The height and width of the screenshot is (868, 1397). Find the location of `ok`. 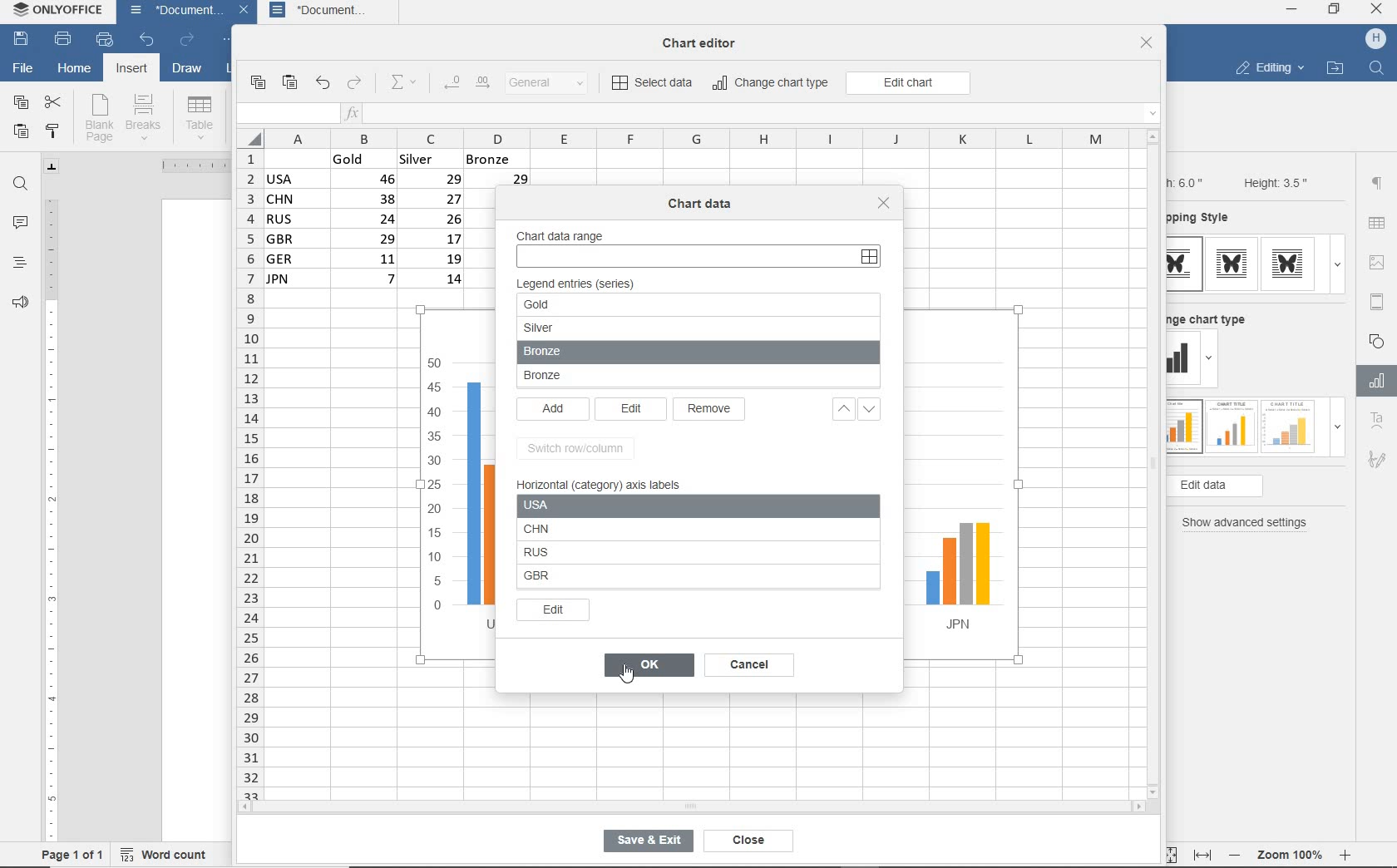

ok is located at coordinates (649, 667).